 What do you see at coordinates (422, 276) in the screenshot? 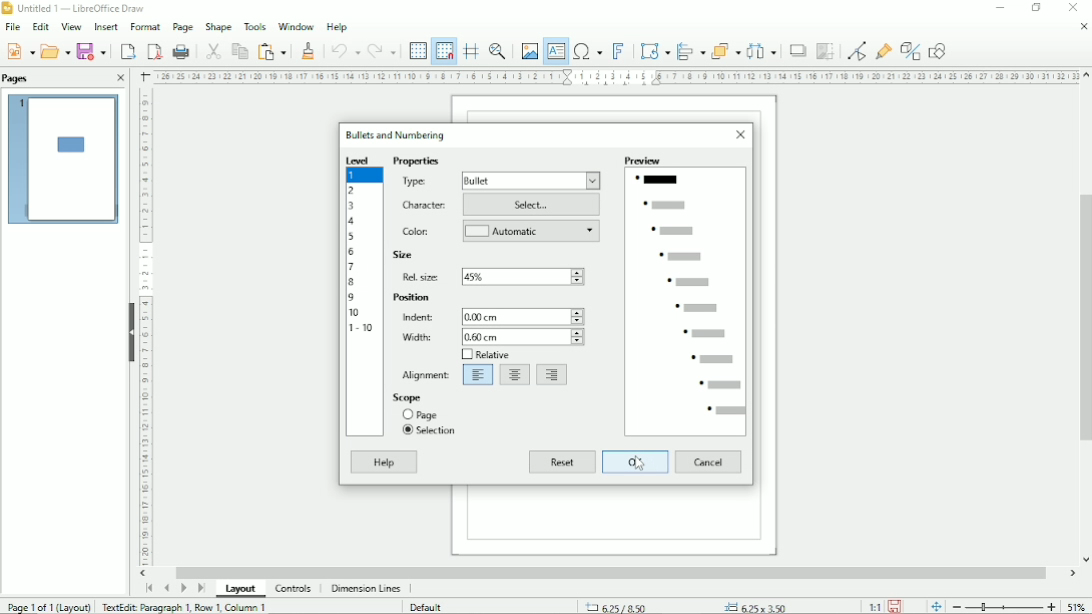
I see `Rel. size` at bounding box center [422, 276].